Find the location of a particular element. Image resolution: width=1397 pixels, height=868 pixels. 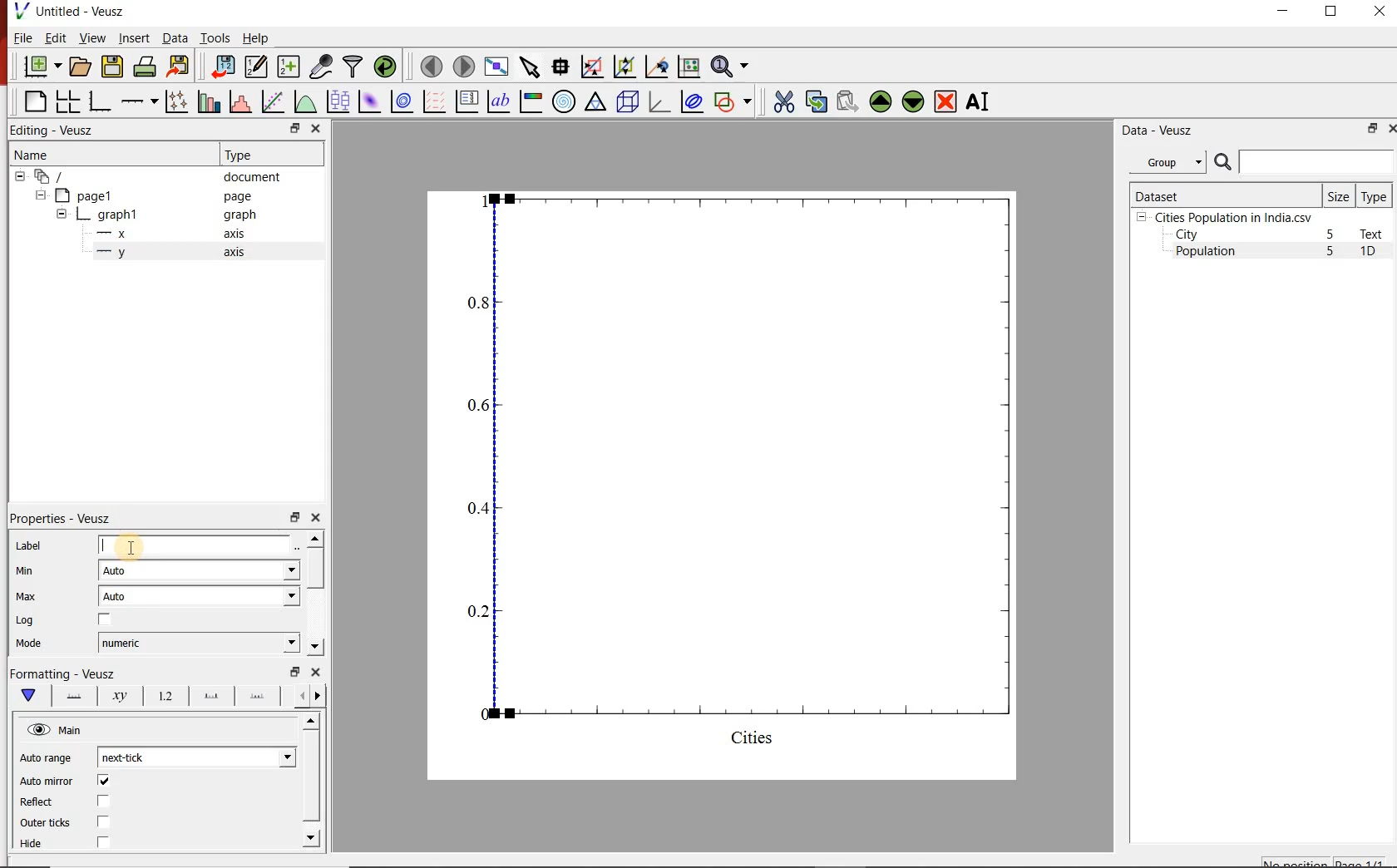

Major ticks is located at coordinates (206, 698).